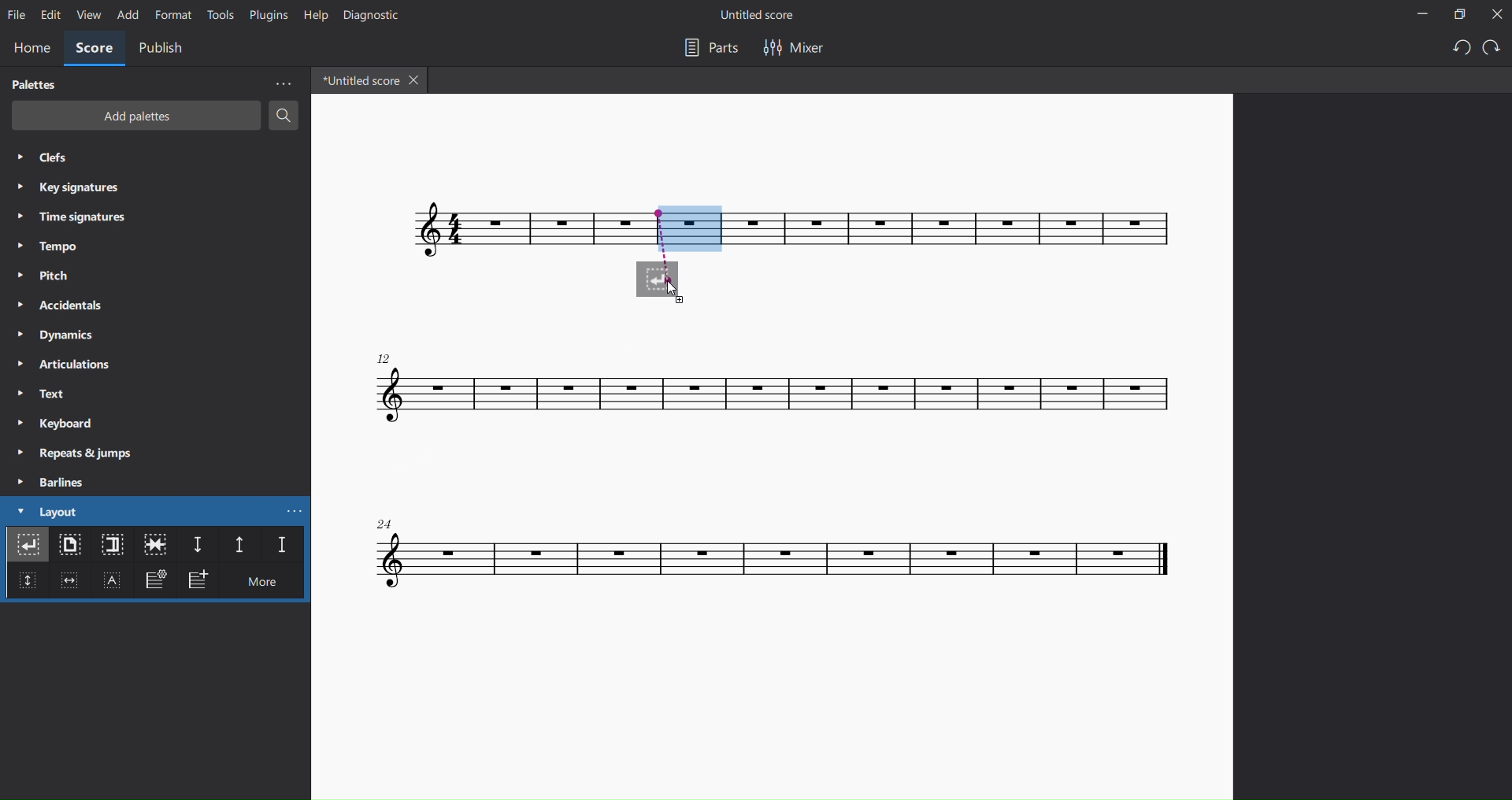  I want to click on repeats and jumps, so click(82, 453).